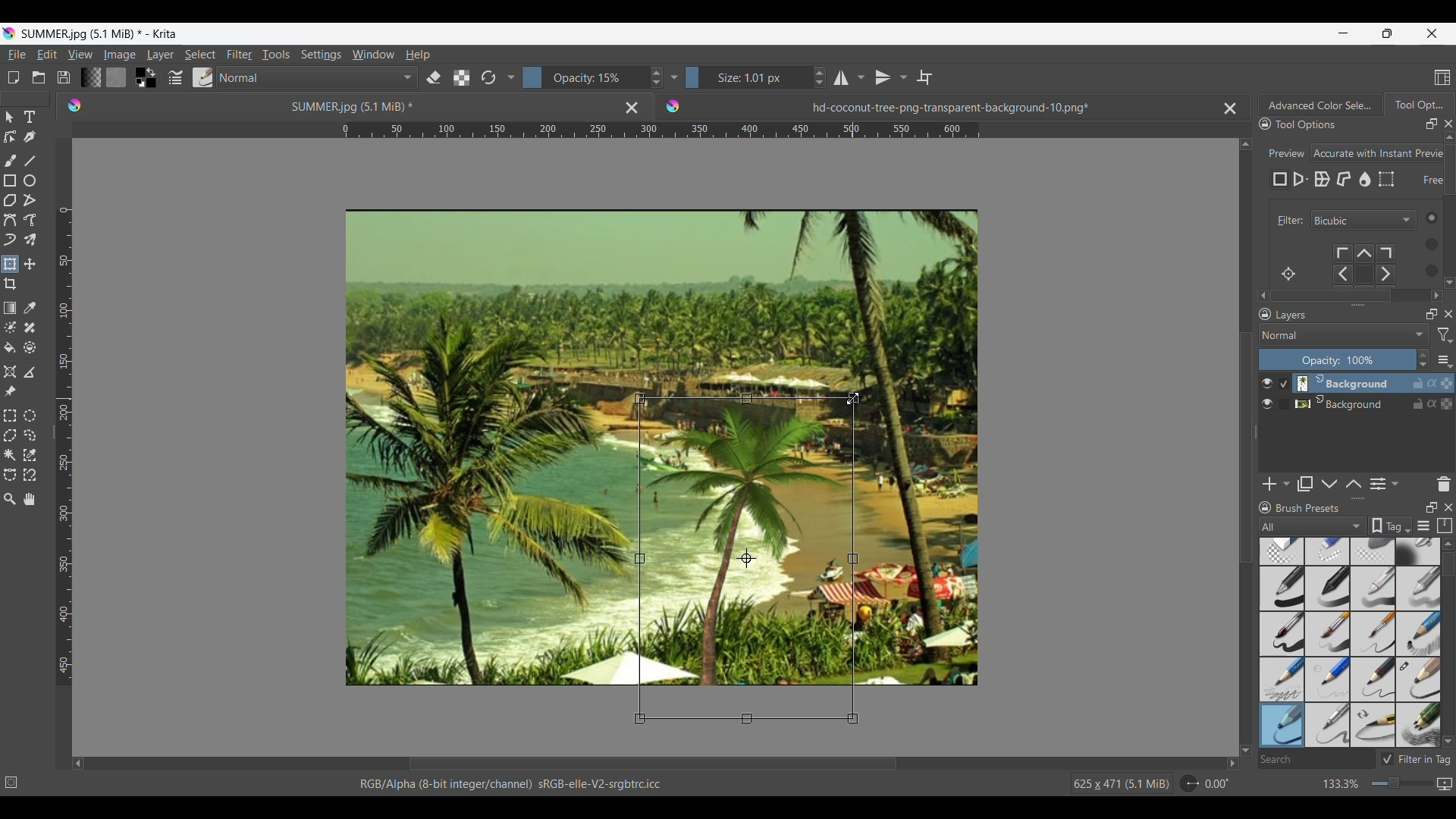 This screenshot has width=1456, height=819. Describe the element at coordinates (1445, 359) in the screenshot. I see `Thumbnail size options` at that location.